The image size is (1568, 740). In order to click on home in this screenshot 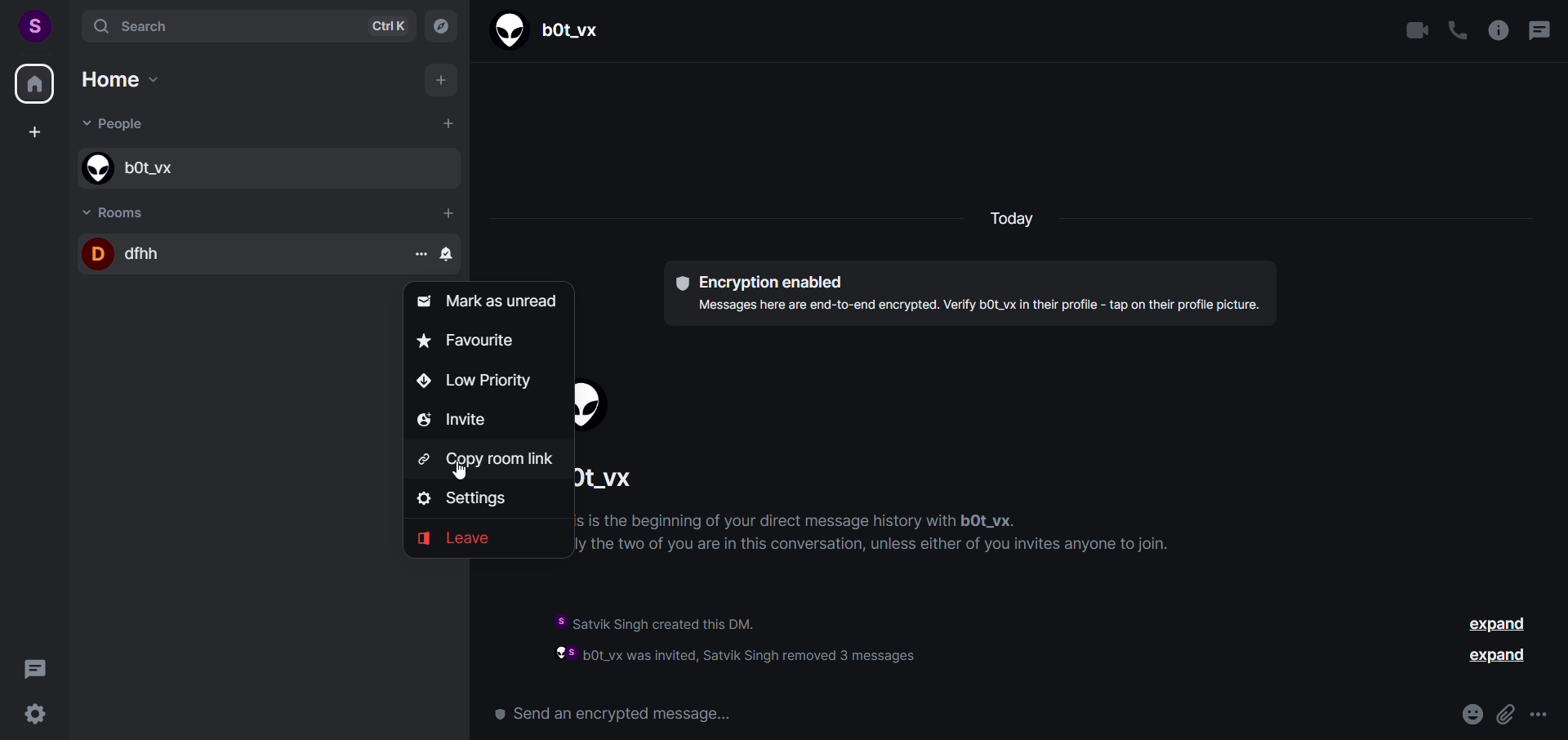, I will do `click(34, 87)`.